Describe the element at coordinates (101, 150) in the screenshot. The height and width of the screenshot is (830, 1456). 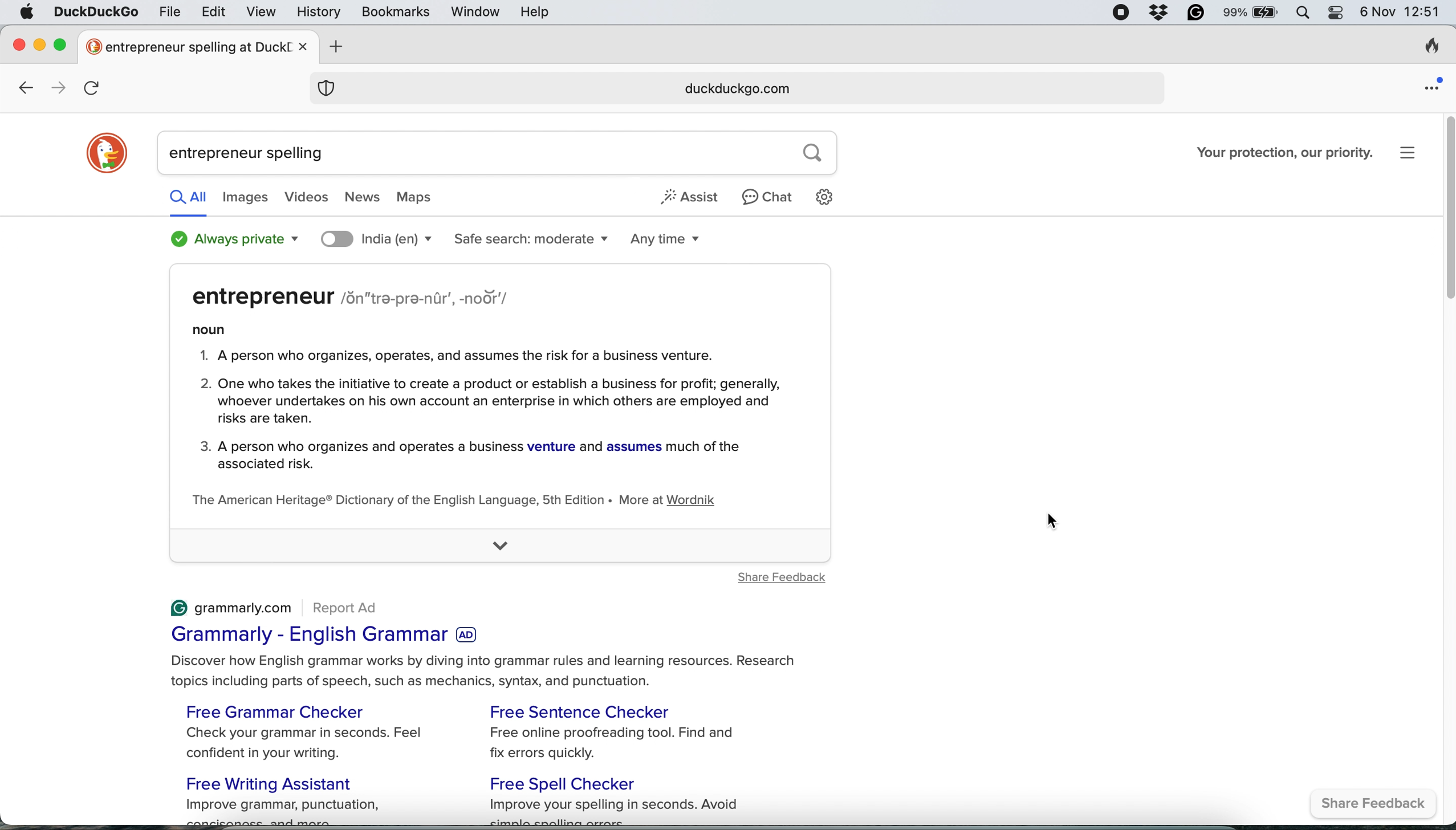
I see `duckduckgo logo` at that location.